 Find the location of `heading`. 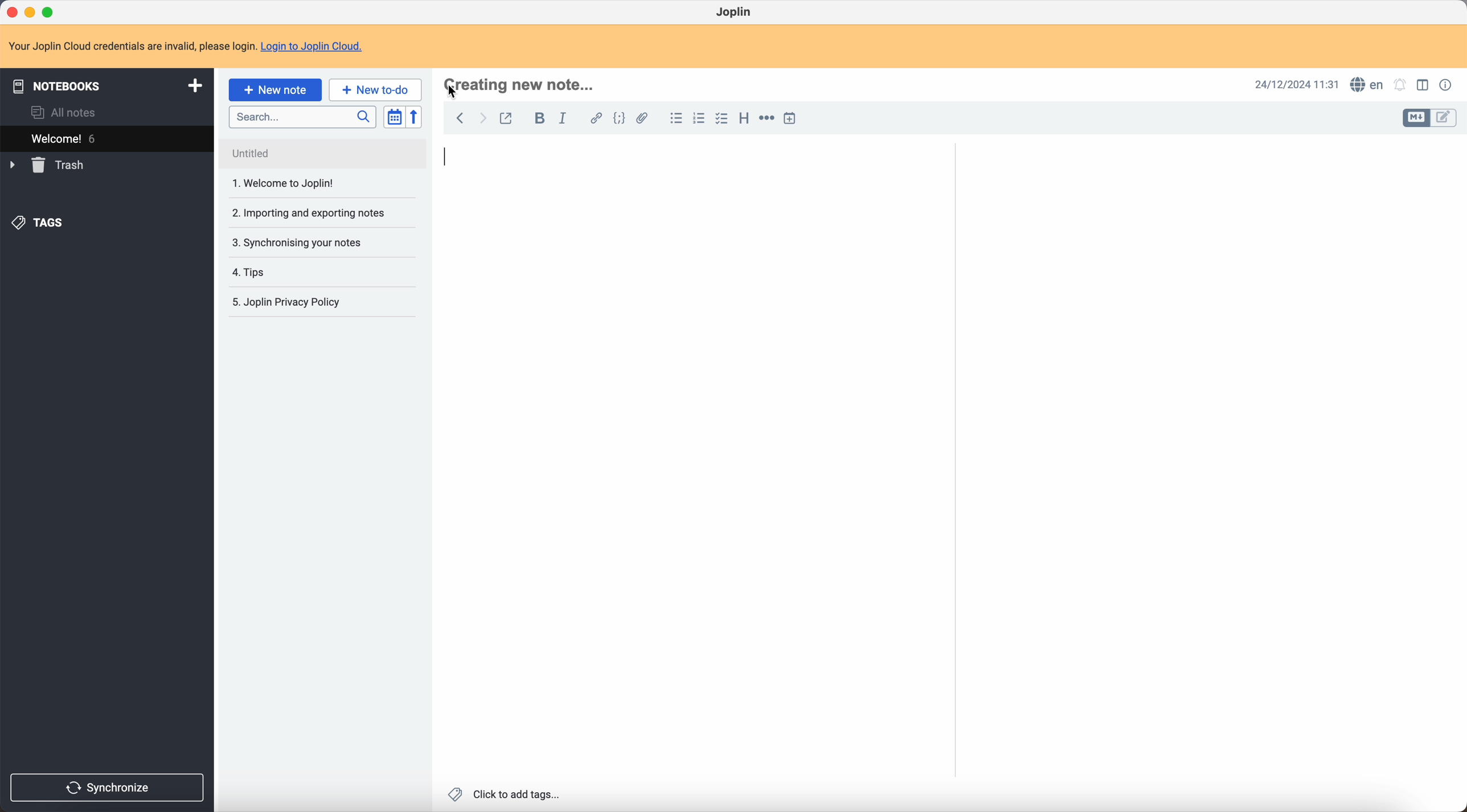

heading is located at coordinates (744, 119).